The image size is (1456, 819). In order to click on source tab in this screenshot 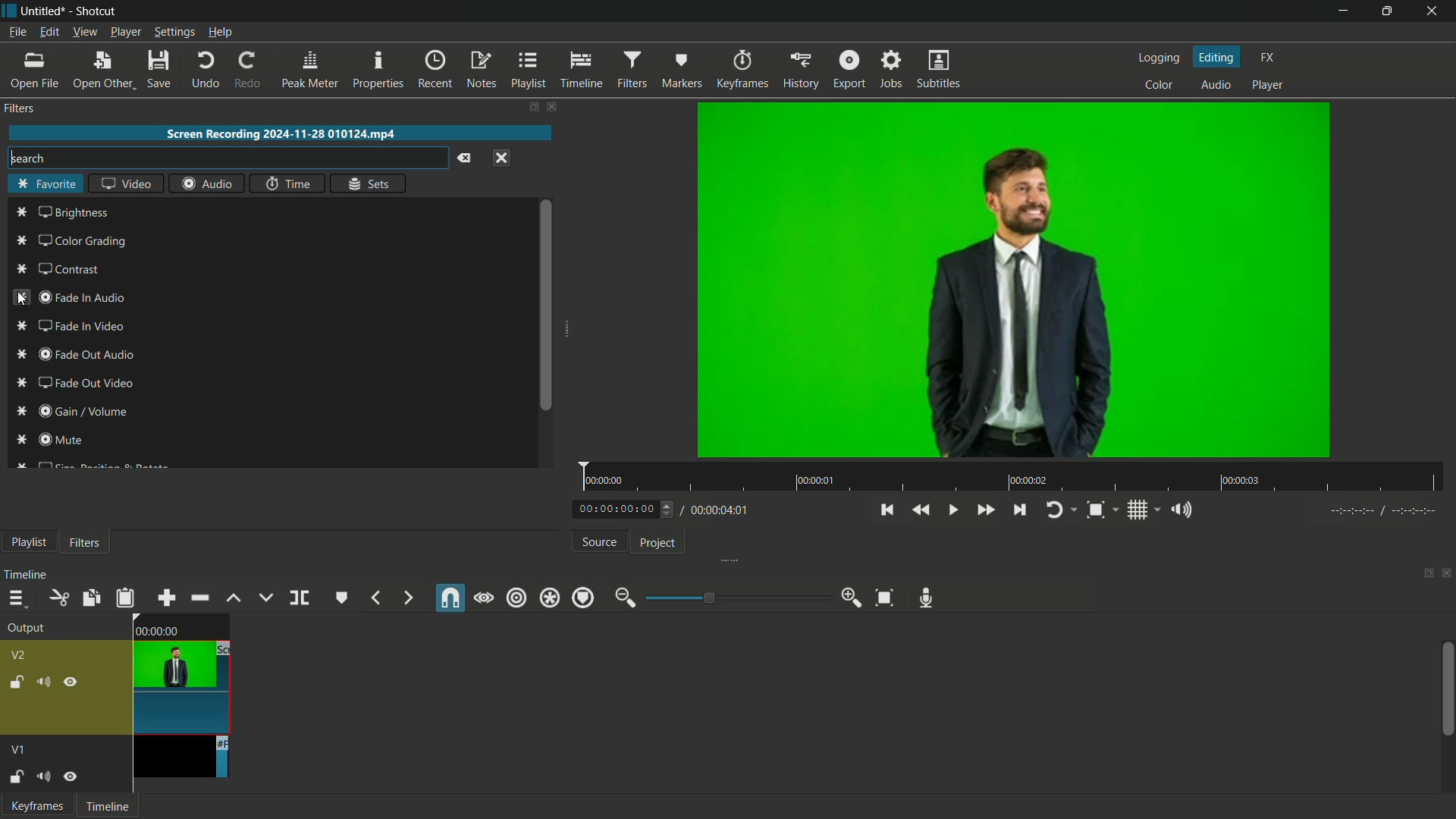, I will do `click(598, 541)`.